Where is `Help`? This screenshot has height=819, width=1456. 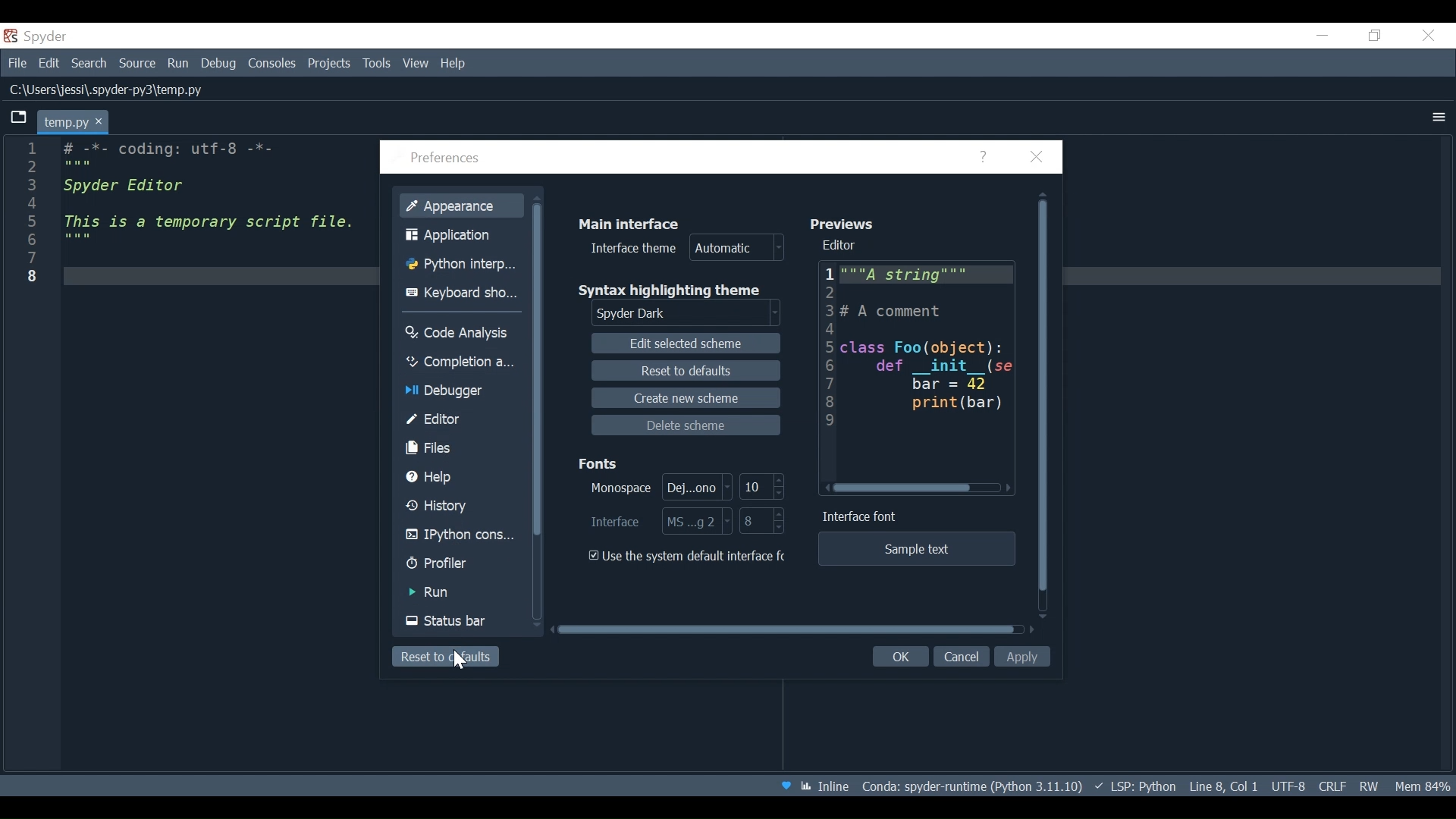
Help is located at coordinates (463, 477).